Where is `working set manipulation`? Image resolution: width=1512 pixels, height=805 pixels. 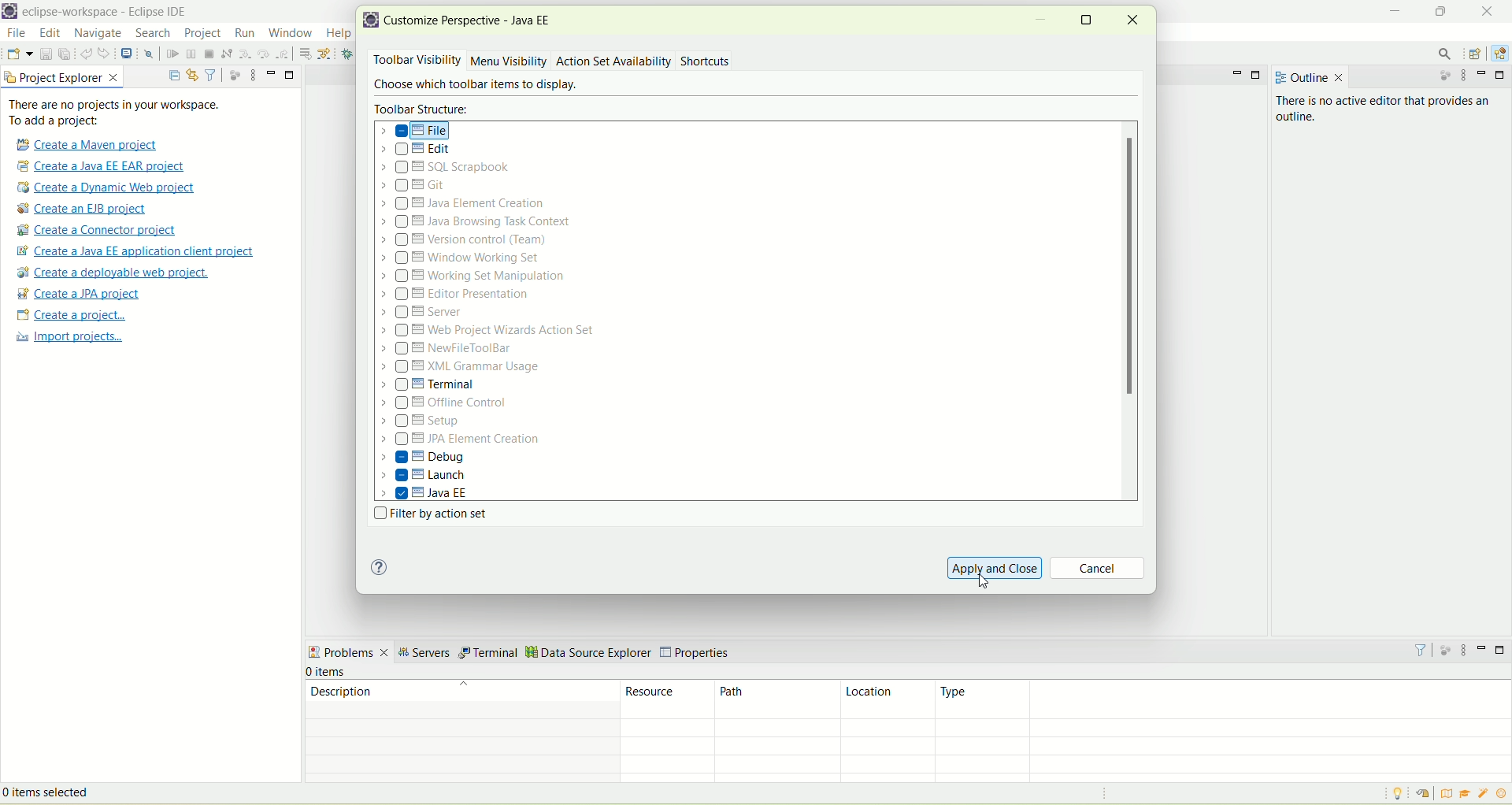
working set manipulation is located at coordinates (475, 275).